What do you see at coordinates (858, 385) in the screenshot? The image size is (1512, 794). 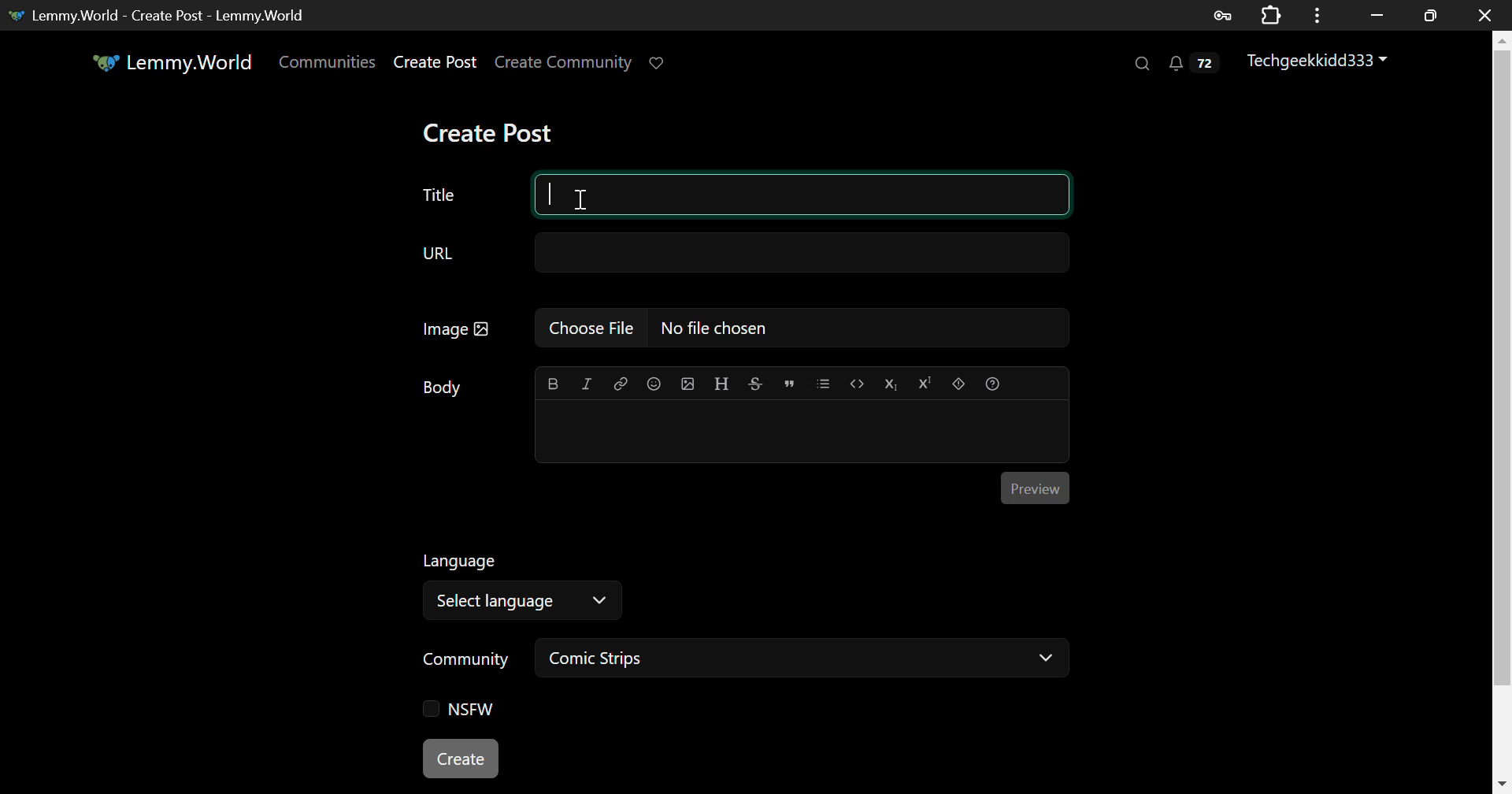 I see `Code` at bounding box center [858, 385].